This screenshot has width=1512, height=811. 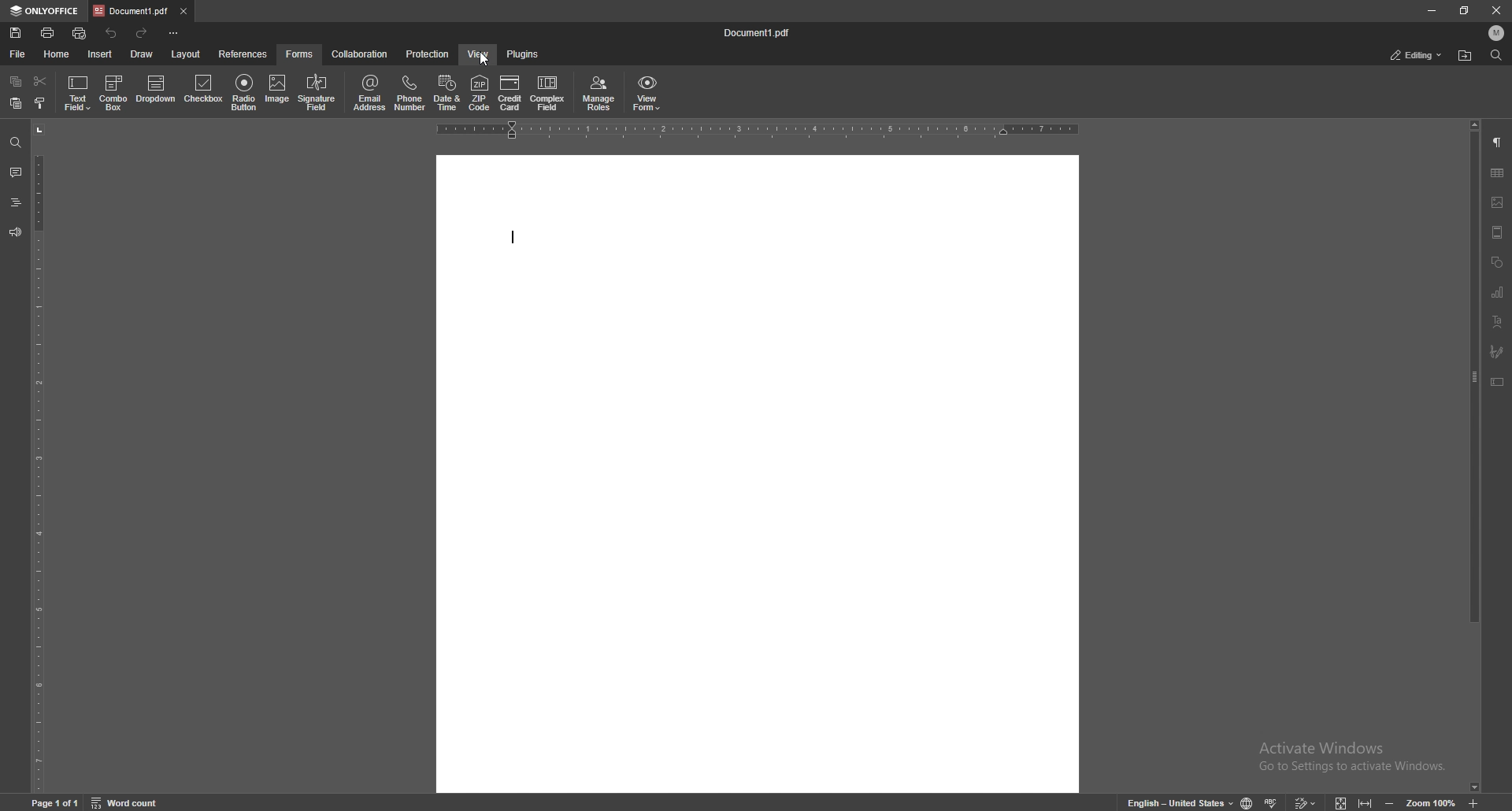 I want to click on image, so click(x=277, y=91).